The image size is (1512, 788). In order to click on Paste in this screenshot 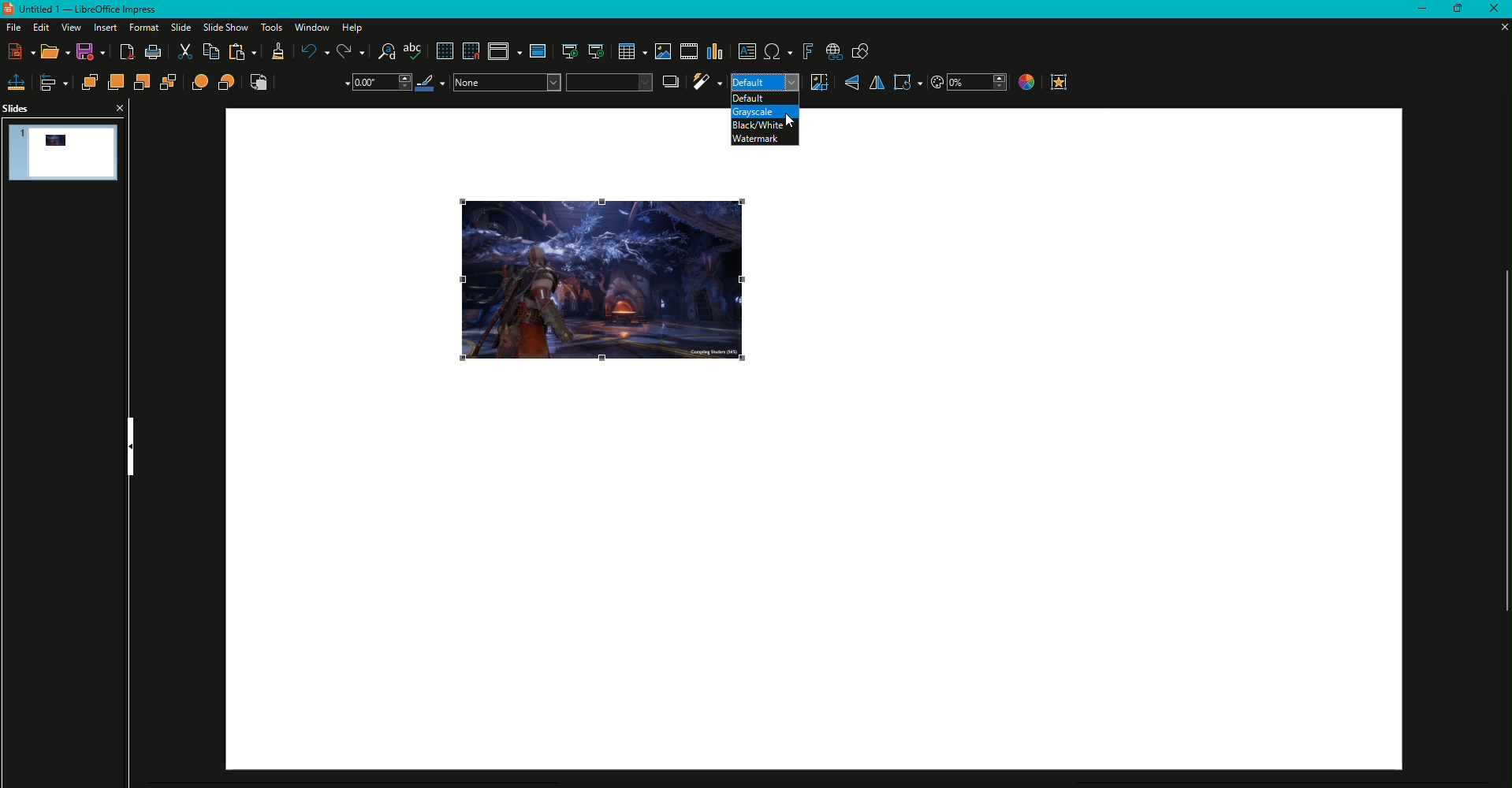, I will do `click(244, 53)`.